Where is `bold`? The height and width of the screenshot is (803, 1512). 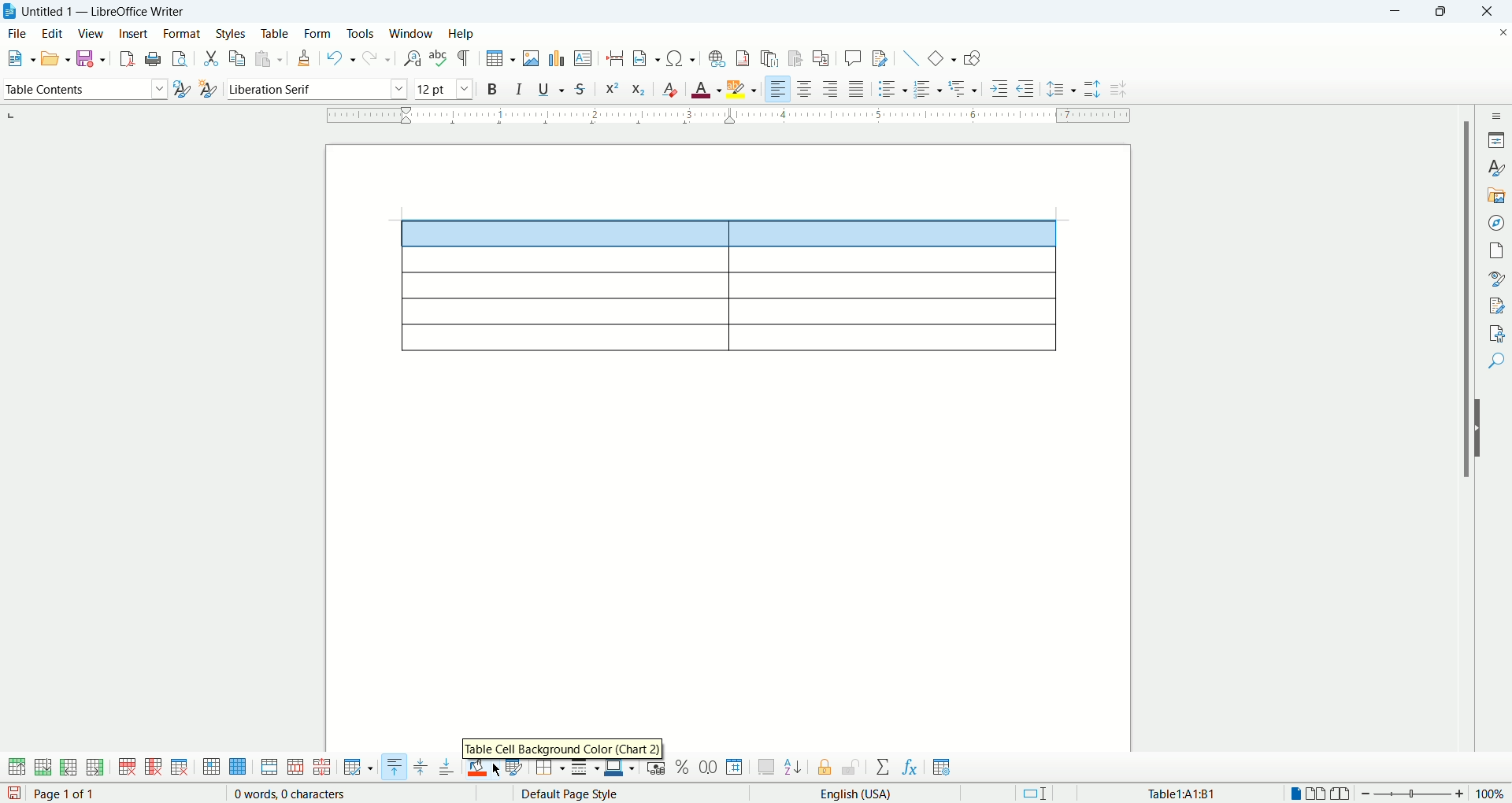
bold is located at coordinates (495, 88).